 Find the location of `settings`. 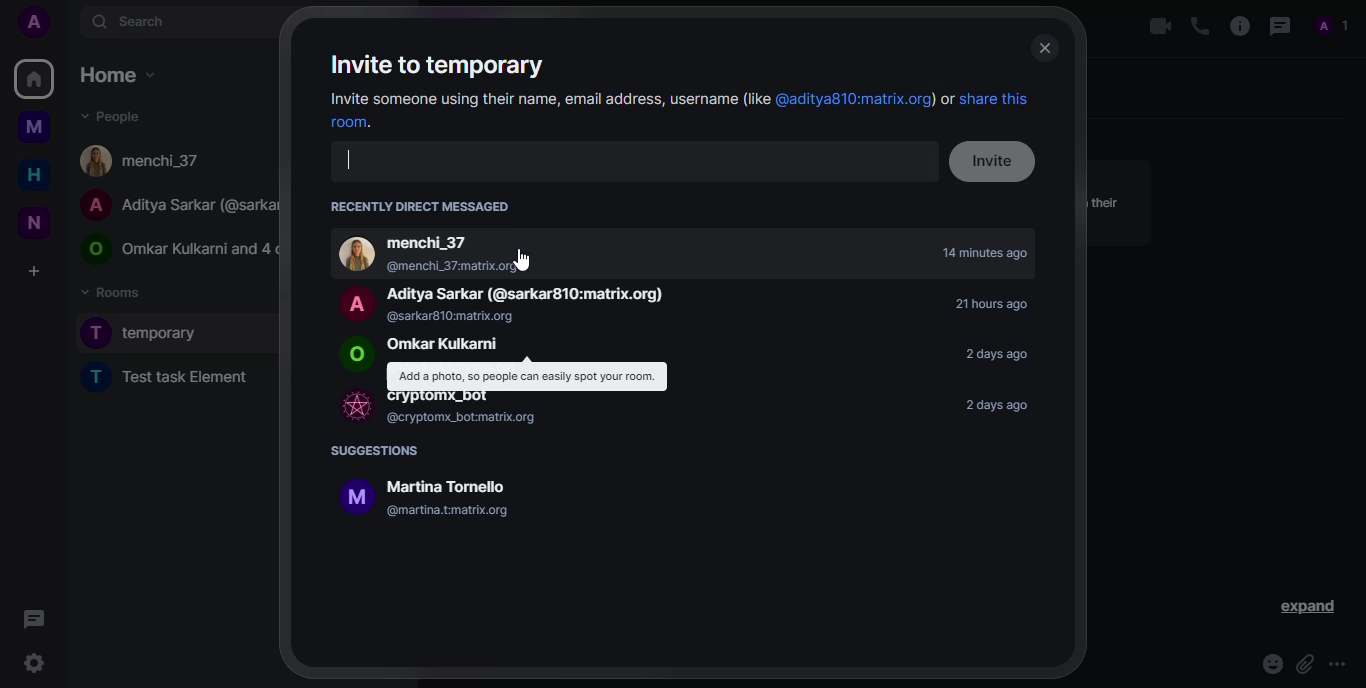

settings is located at coordinates (29, 662).